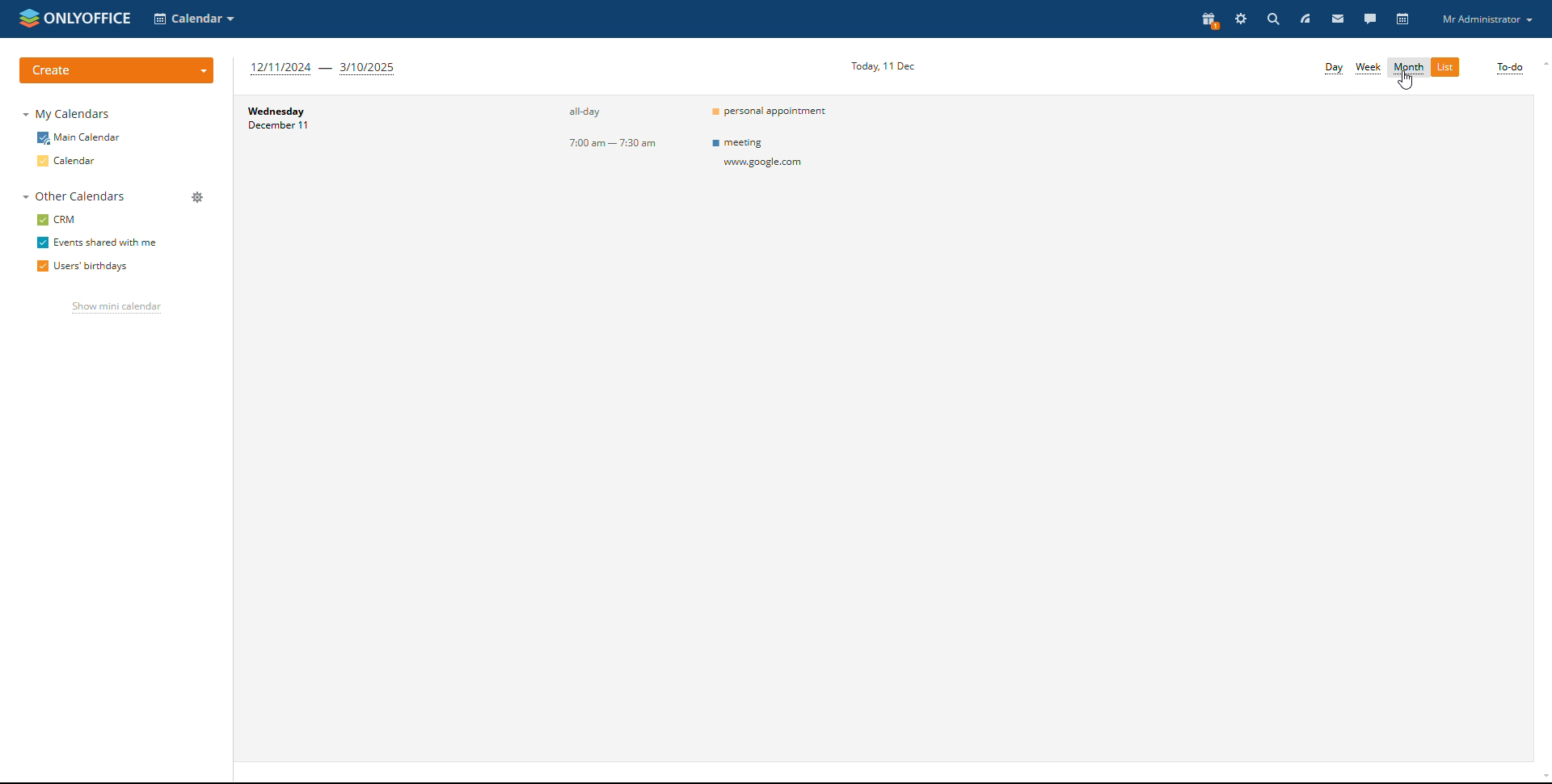  I want to click on week view, so click(1369, 69).